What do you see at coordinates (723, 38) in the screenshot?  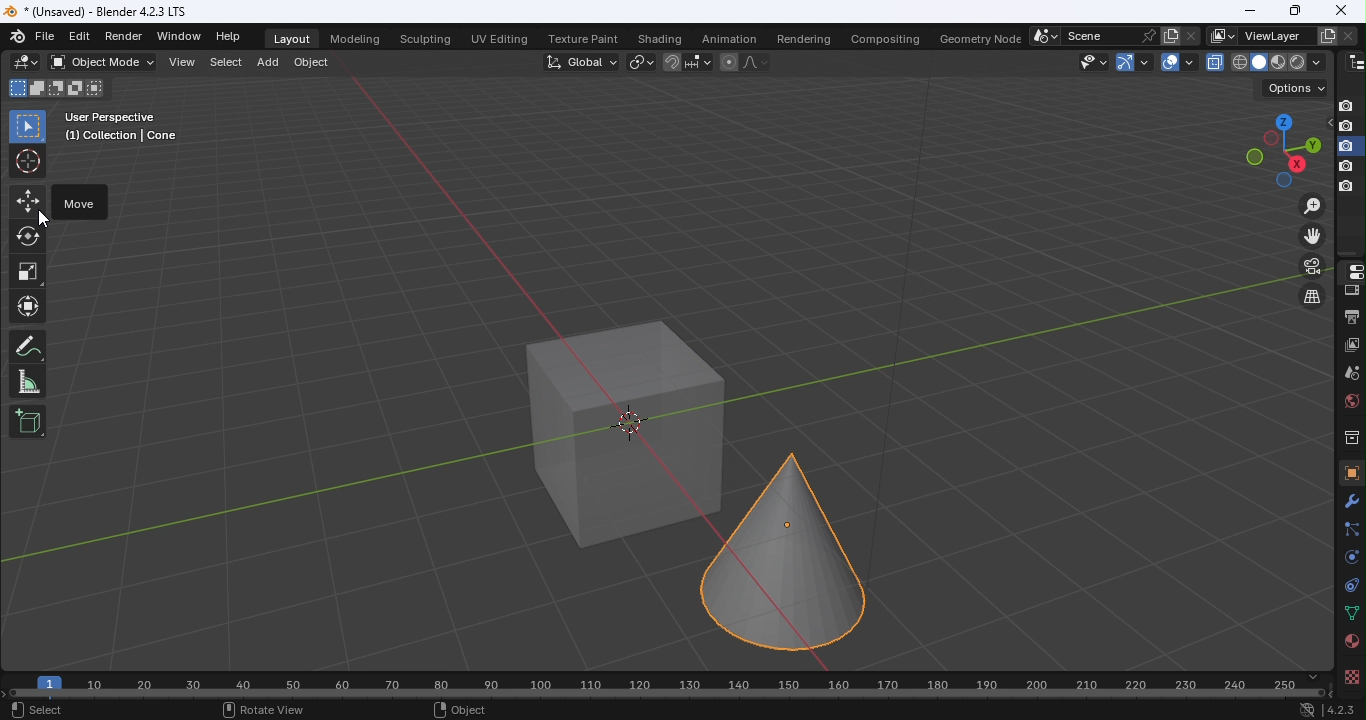 I see `Animation` at bounding box center [723, 38].